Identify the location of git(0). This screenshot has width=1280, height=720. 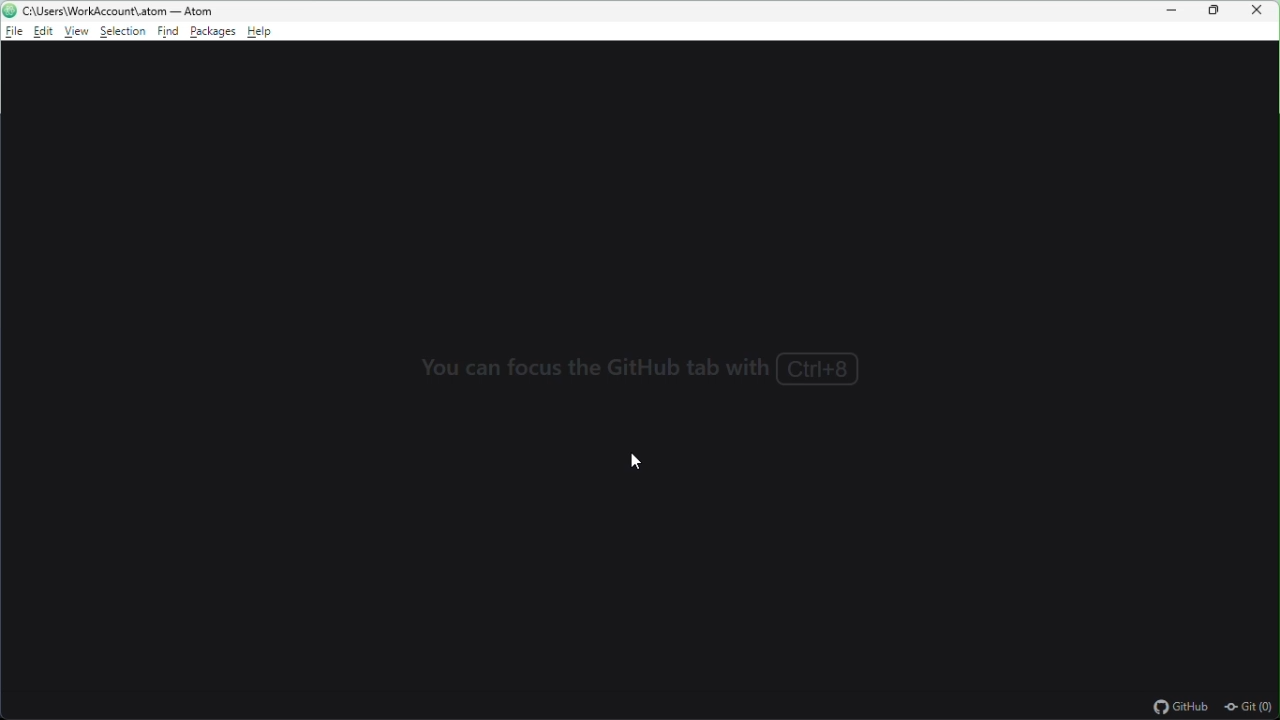
(1249, 709).